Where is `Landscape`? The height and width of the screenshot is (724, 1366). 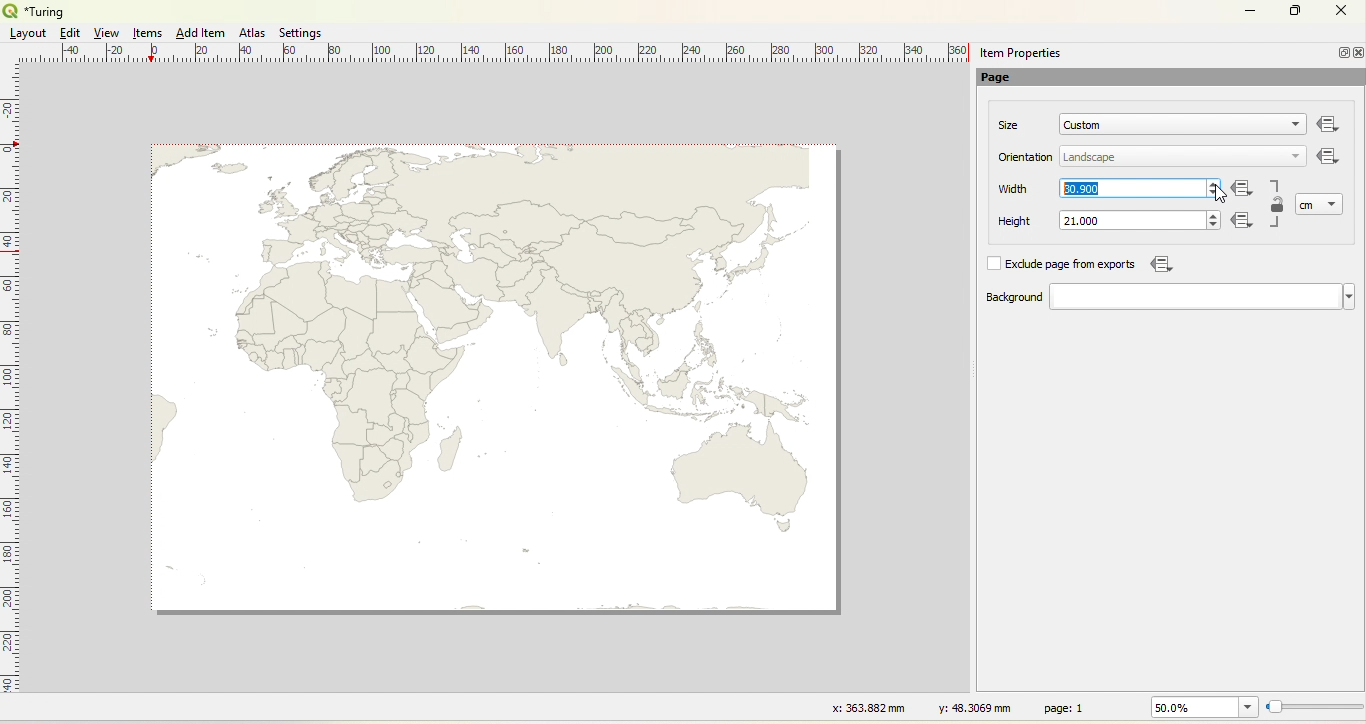
Landscape is located at coordinates (1090, 158).